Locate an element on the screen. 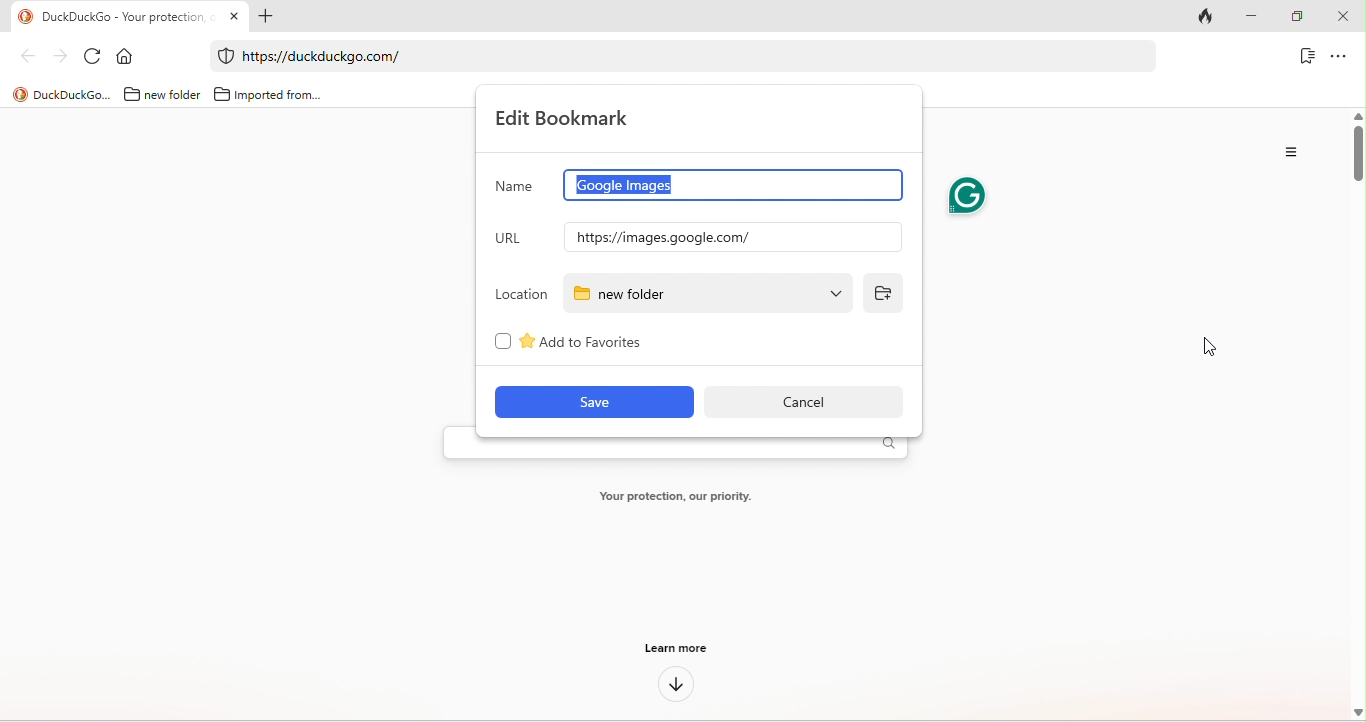 This screenshot has width=1366, height=722. name is located at coordinates (519, 186).